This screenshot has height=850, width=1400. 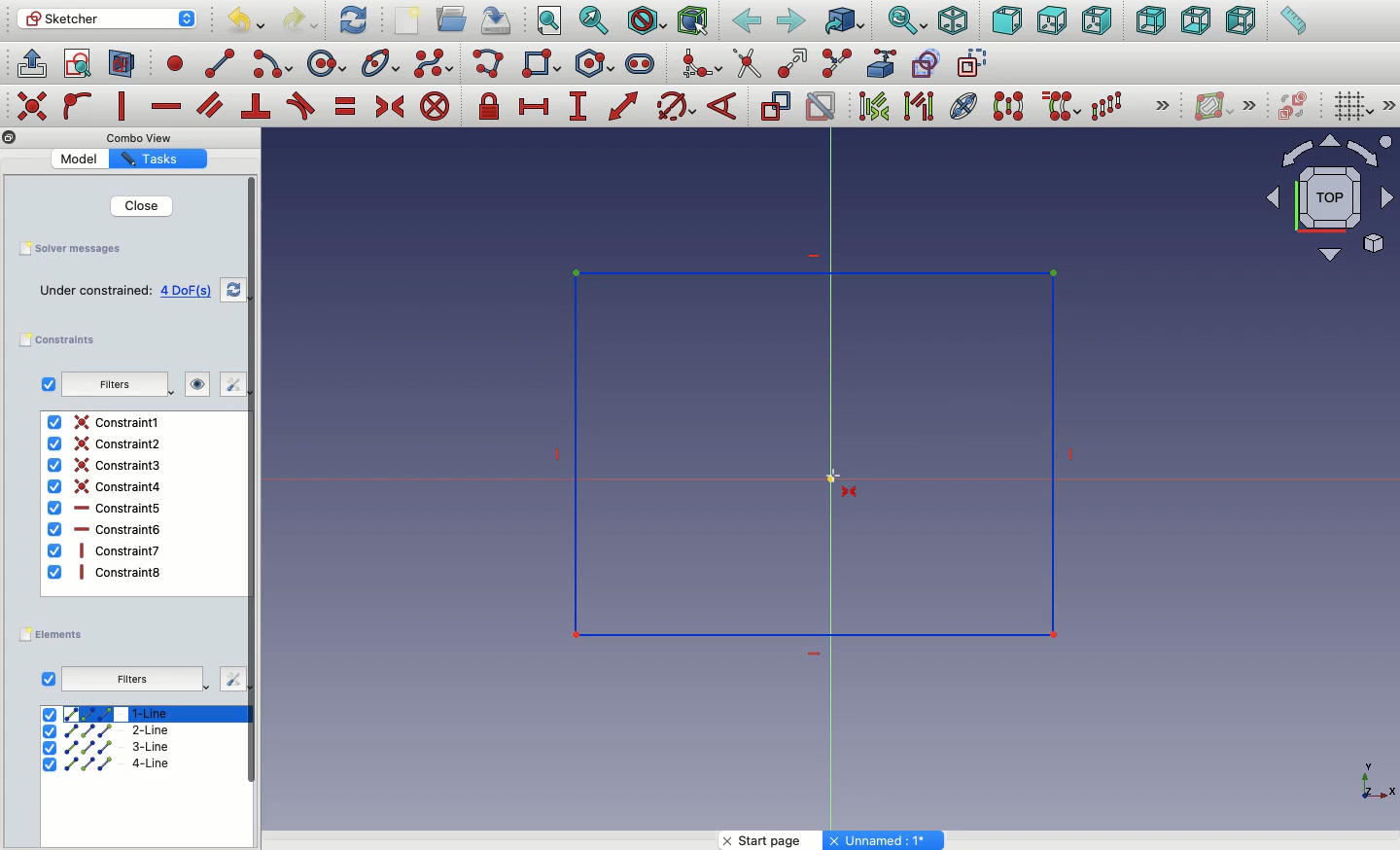 What do you see at coordinates (845, 22) in the screenshot?
I see `Go to linked object` at bounding box center [845, 22].